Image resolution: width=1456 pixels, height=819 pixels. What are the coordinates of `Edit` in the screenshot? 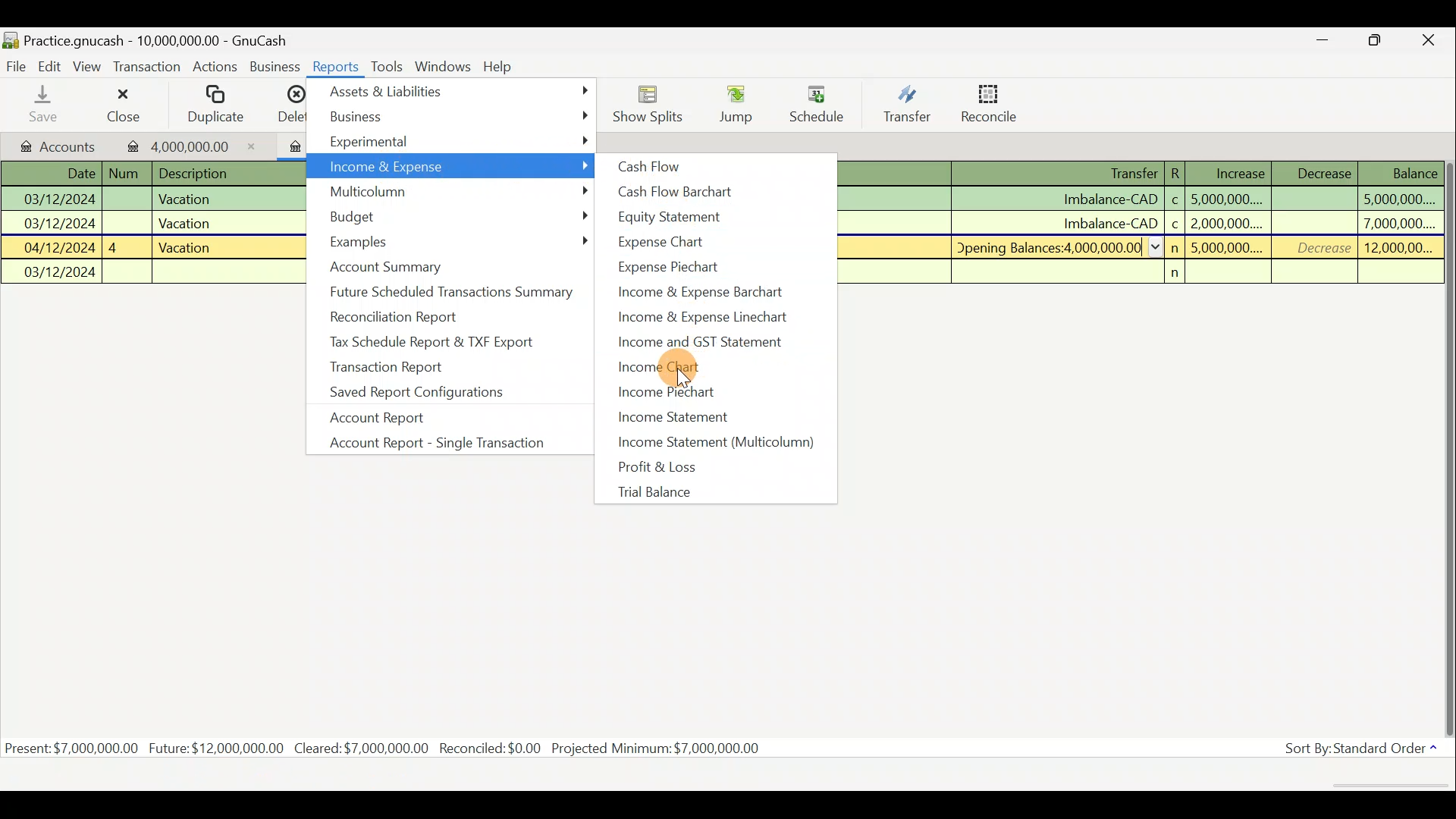 It's located at (51, 67).